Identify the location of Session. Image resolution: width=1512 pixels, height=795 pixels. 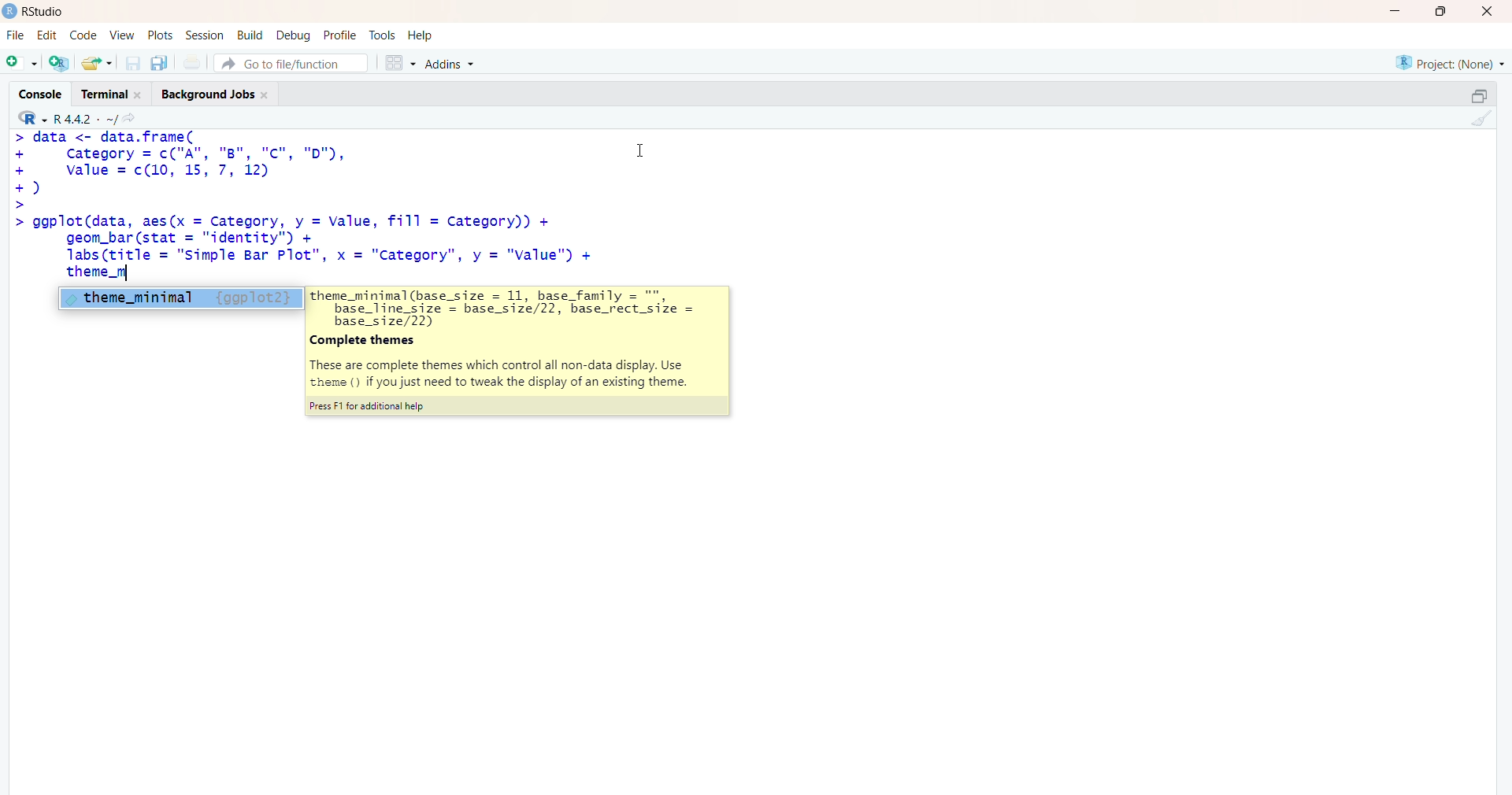
(205, 35).